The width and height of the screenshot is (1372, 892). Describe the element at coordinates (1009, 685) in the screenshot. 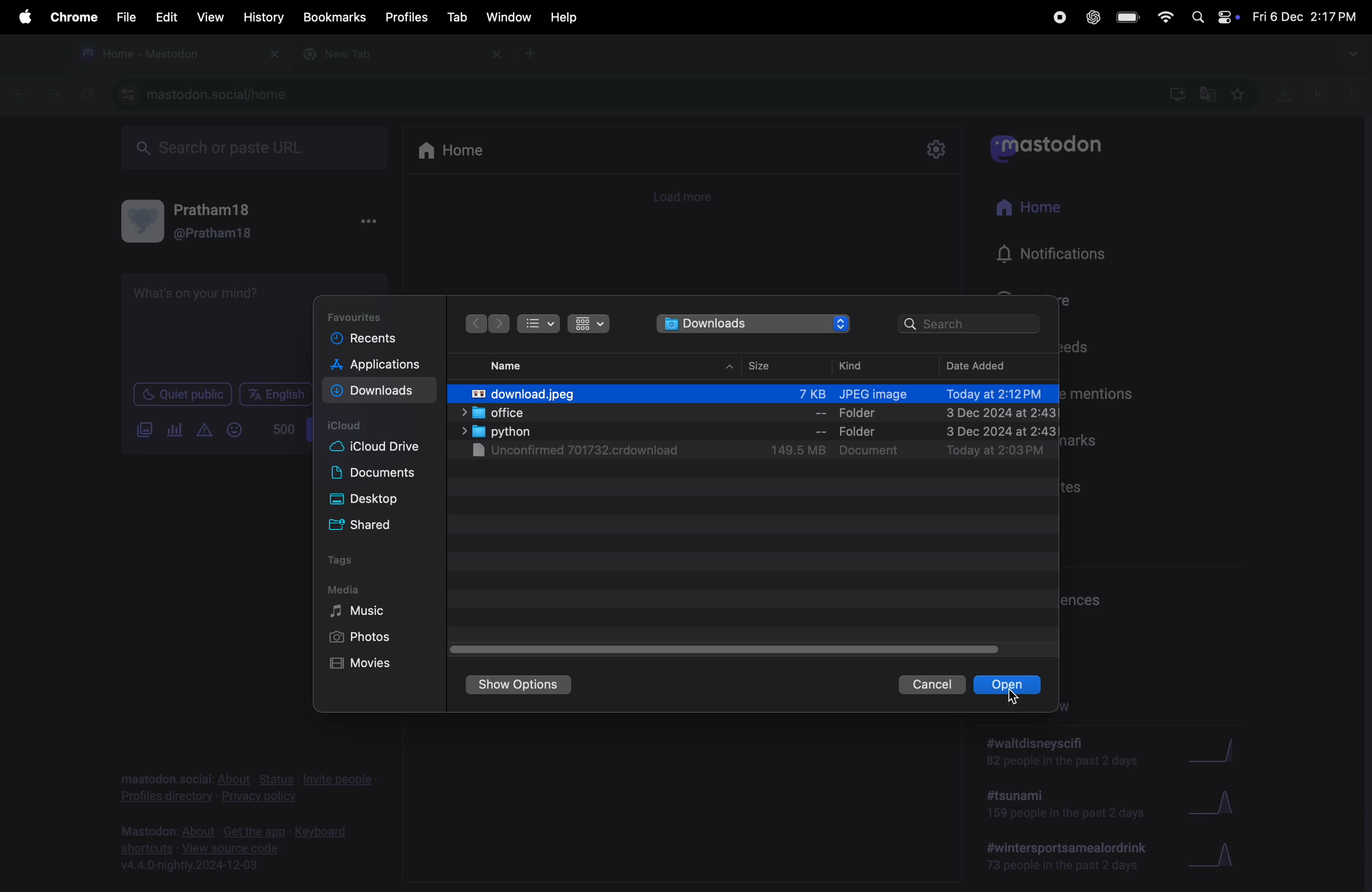

I see `opens` at that location.